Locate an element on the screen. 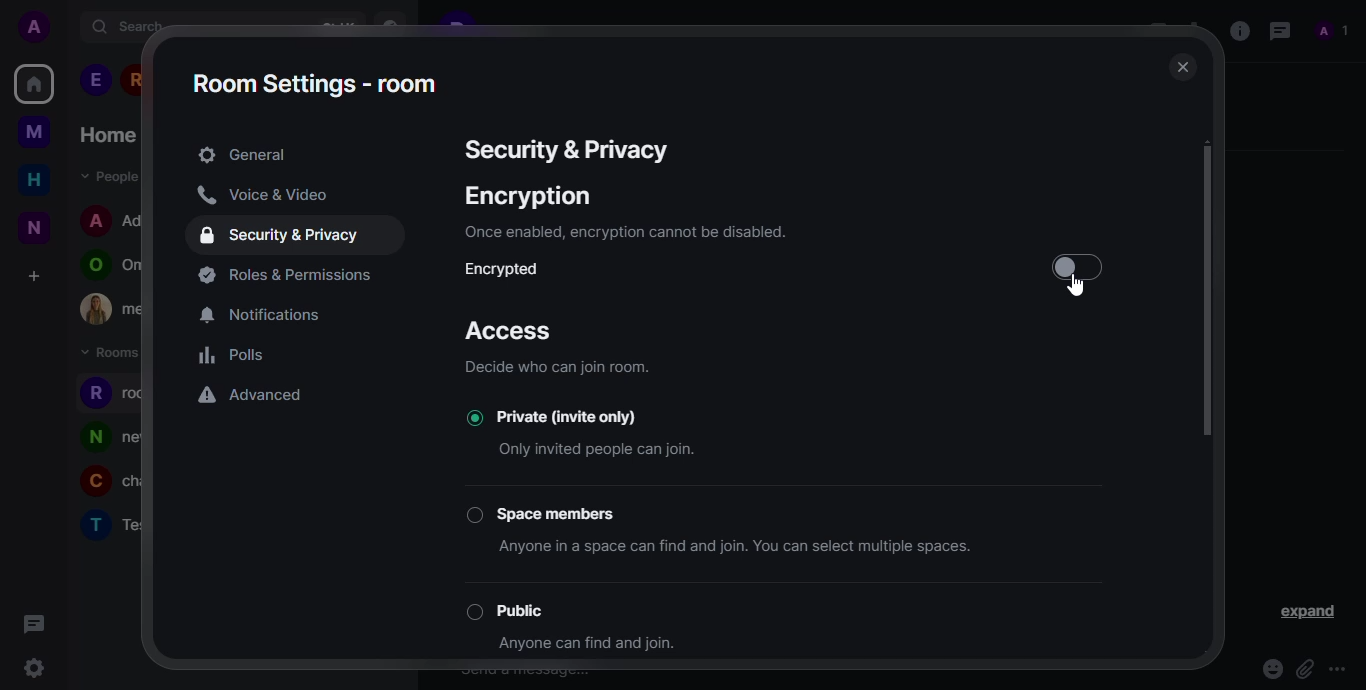 The image size is (1366, 690). info is located at coordinates (1236, 30).